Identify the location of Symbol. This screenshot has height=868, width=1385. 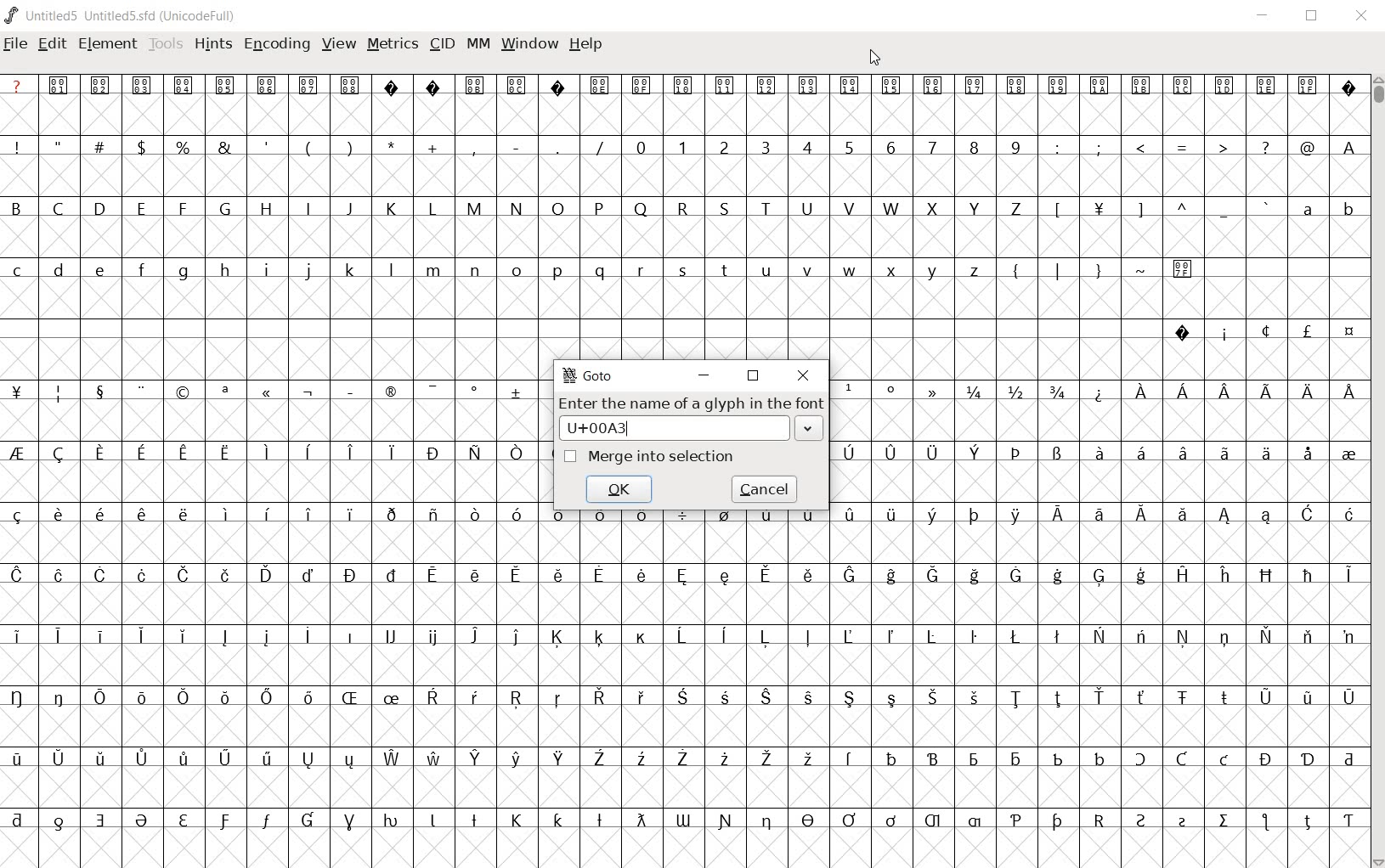
(348, 389).